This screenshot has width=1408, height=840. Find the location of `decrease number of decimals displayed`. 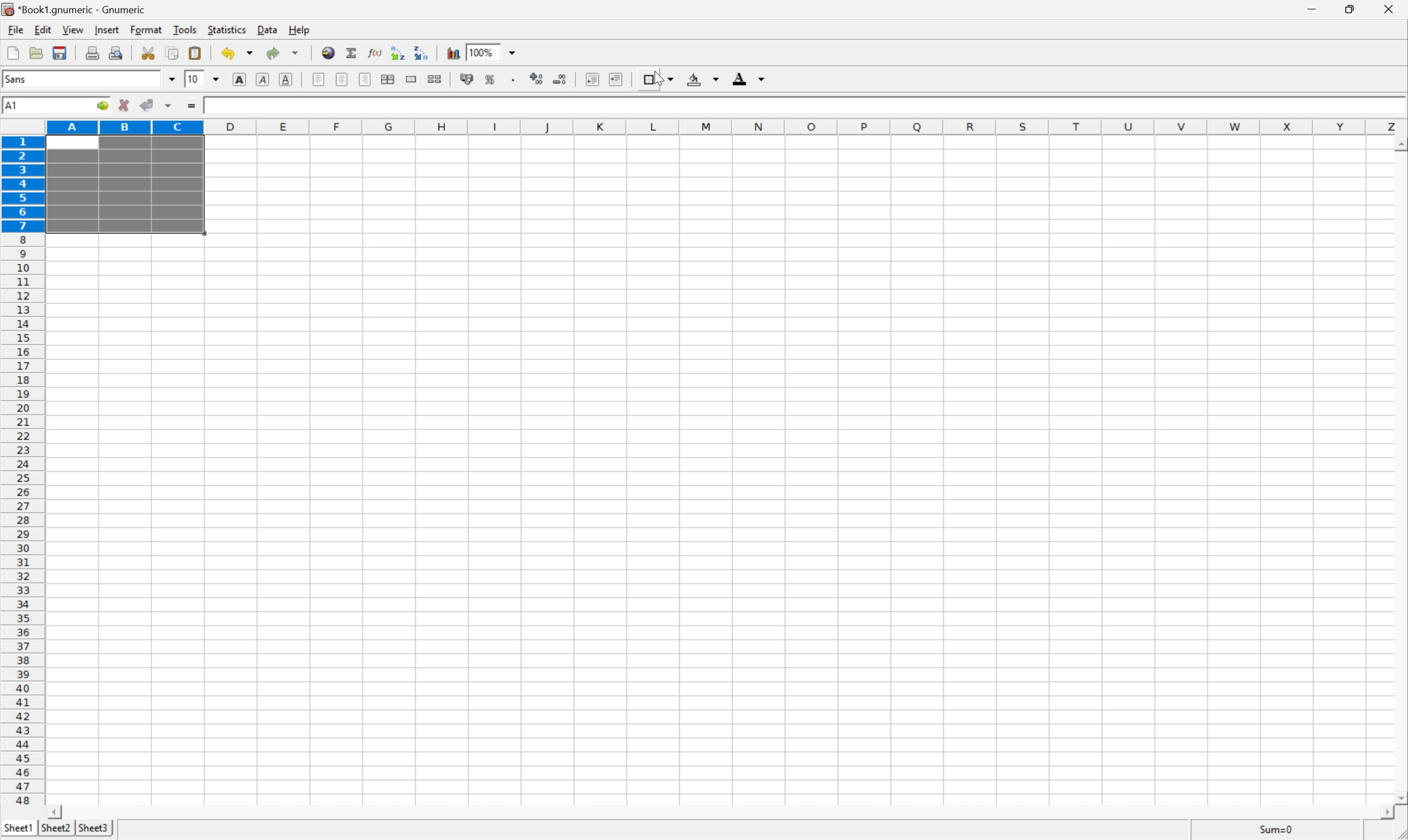

decrease number of decimals displayed is located at coordinates (560, 83).